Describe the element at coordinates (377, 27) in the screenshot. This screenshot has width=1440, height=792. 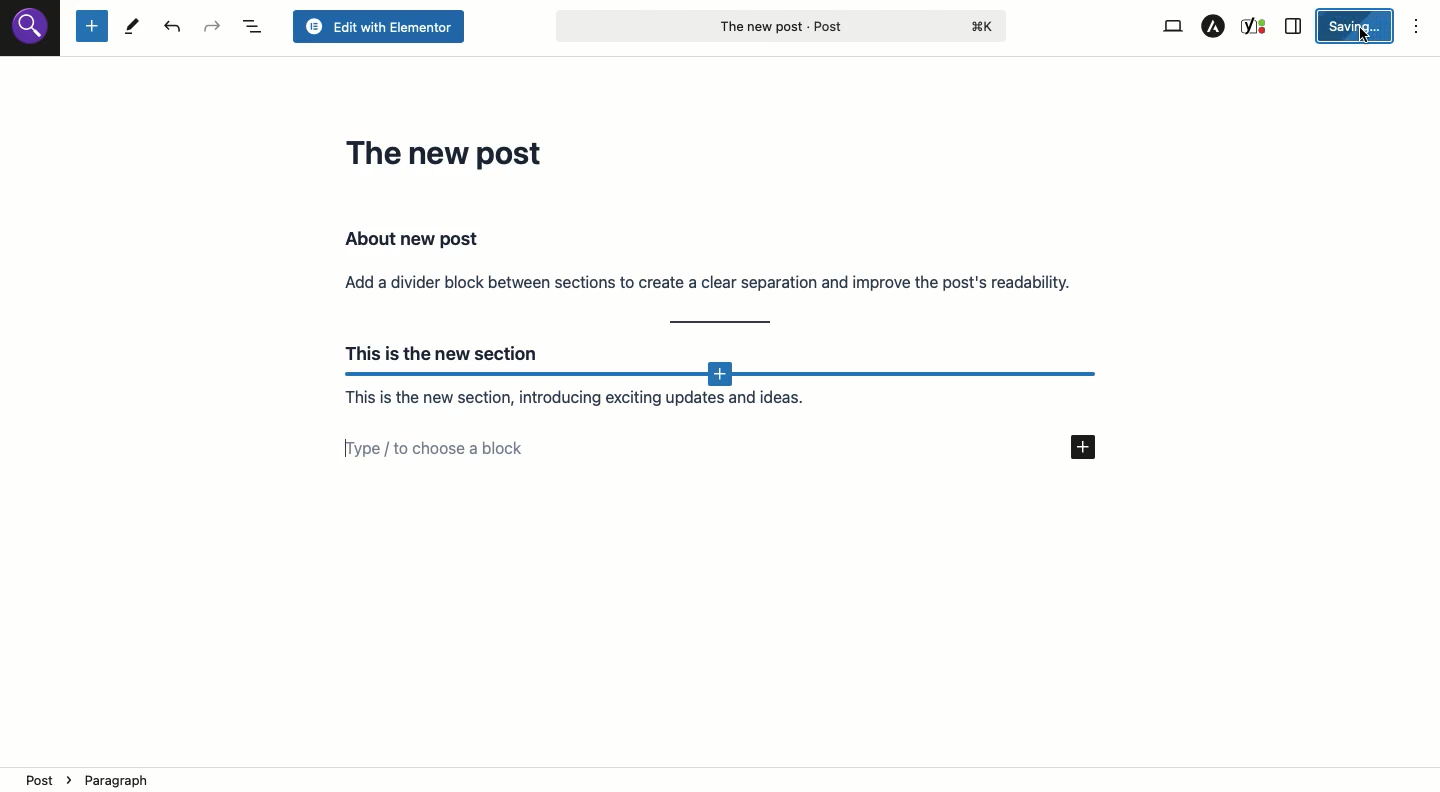
I see `Edit with elementor` at that location.